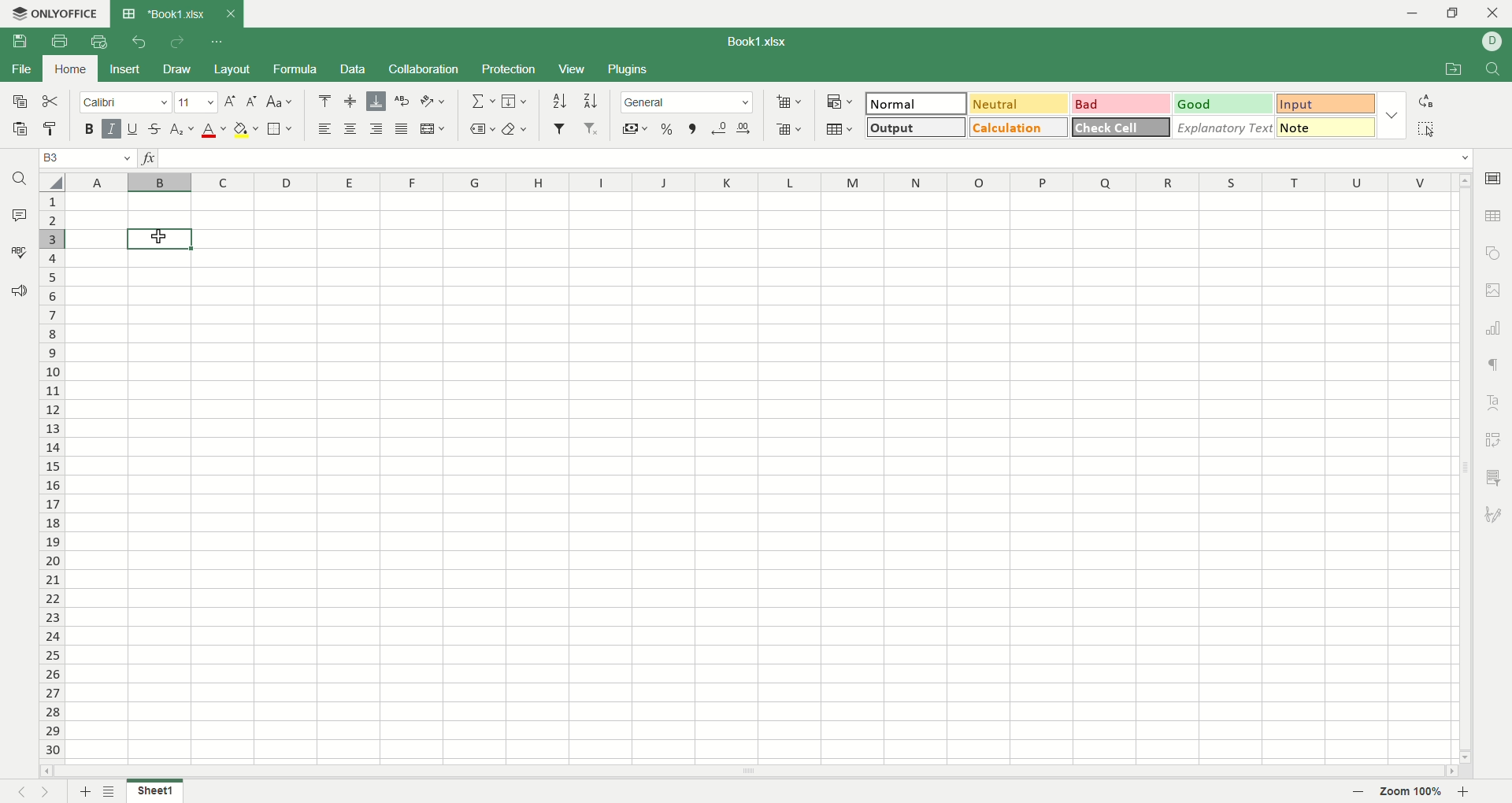  I want to click on paragraph settings, so click(1494, 366).